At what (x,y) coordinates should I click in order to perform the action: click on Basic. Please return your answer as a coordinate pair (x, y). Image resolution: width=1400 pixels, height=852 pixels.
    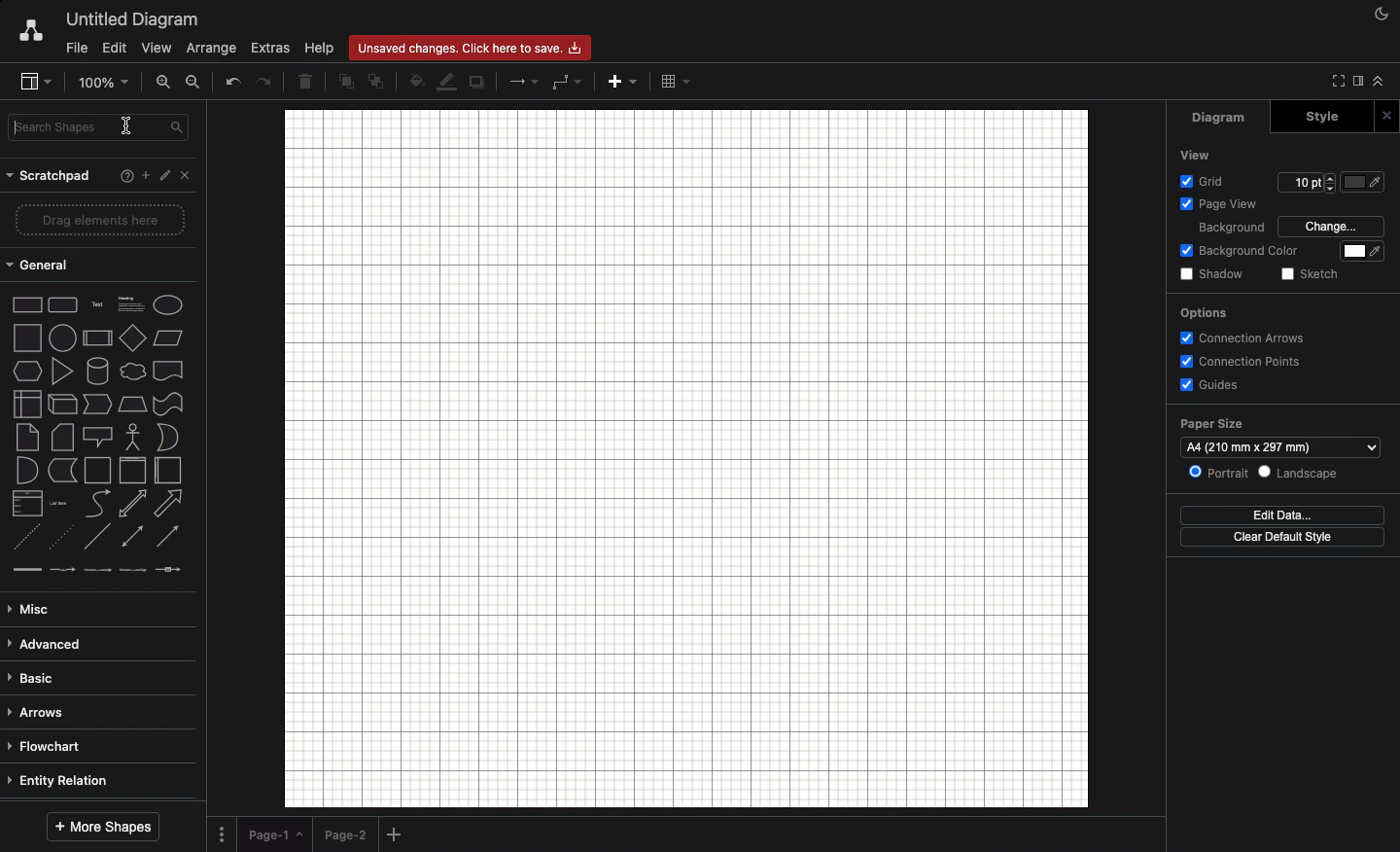
    Looking at the image, I should click on (34, 678).